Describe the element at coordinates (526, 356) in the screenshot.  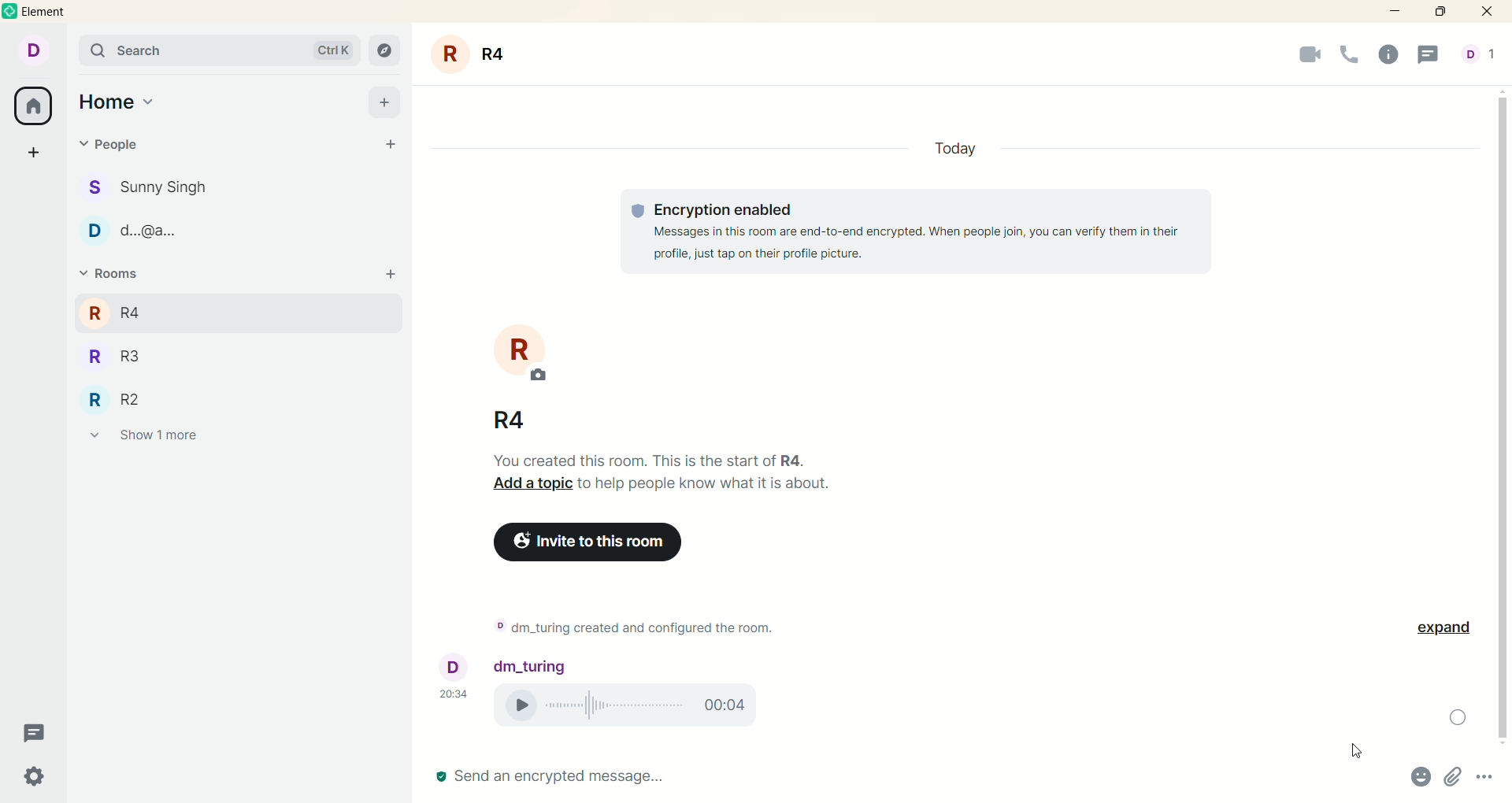
I see `room` at that location.